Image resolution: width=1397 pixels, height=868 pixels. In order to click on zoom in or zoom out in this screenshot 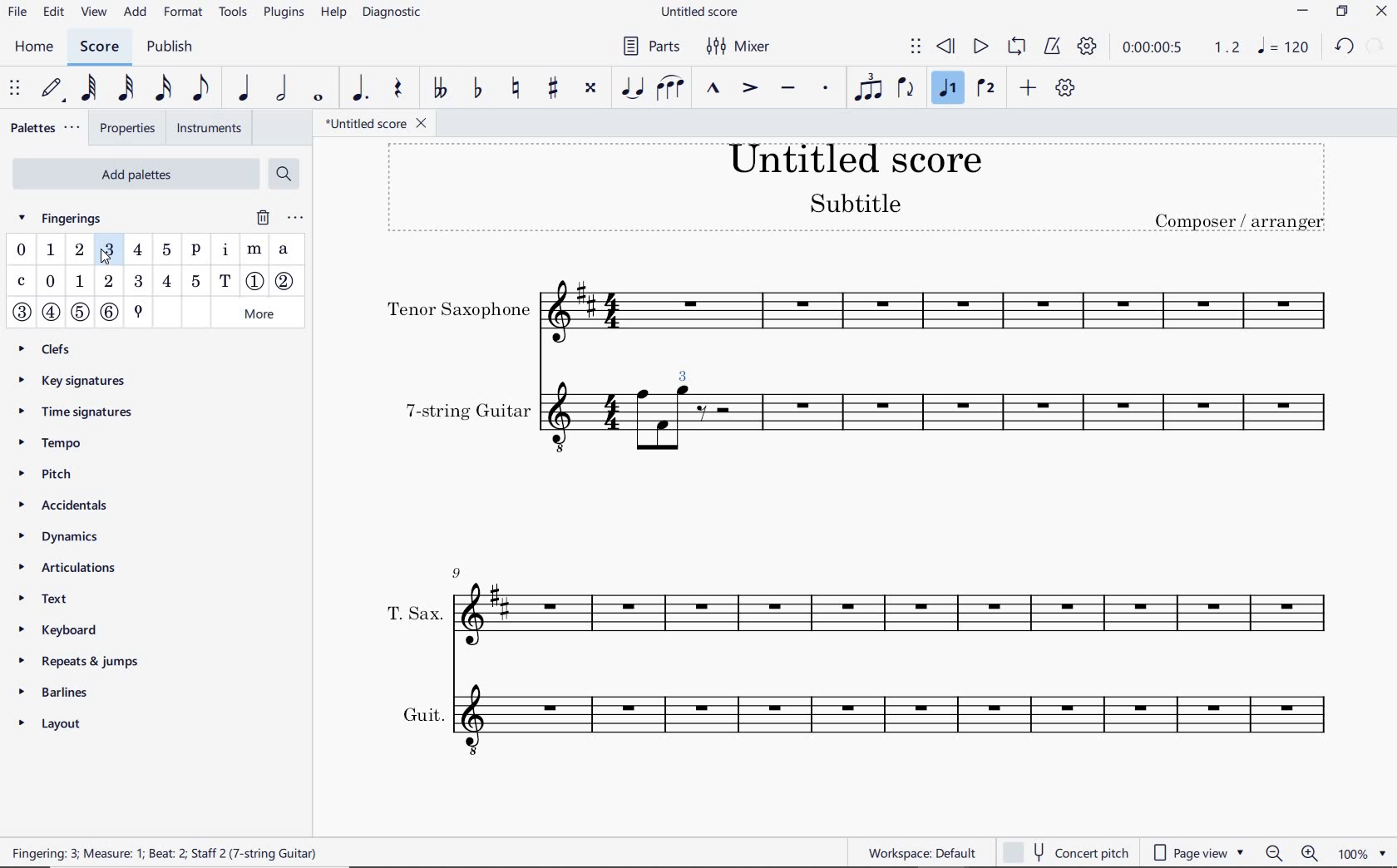, I will do `click(1291, 853)`.